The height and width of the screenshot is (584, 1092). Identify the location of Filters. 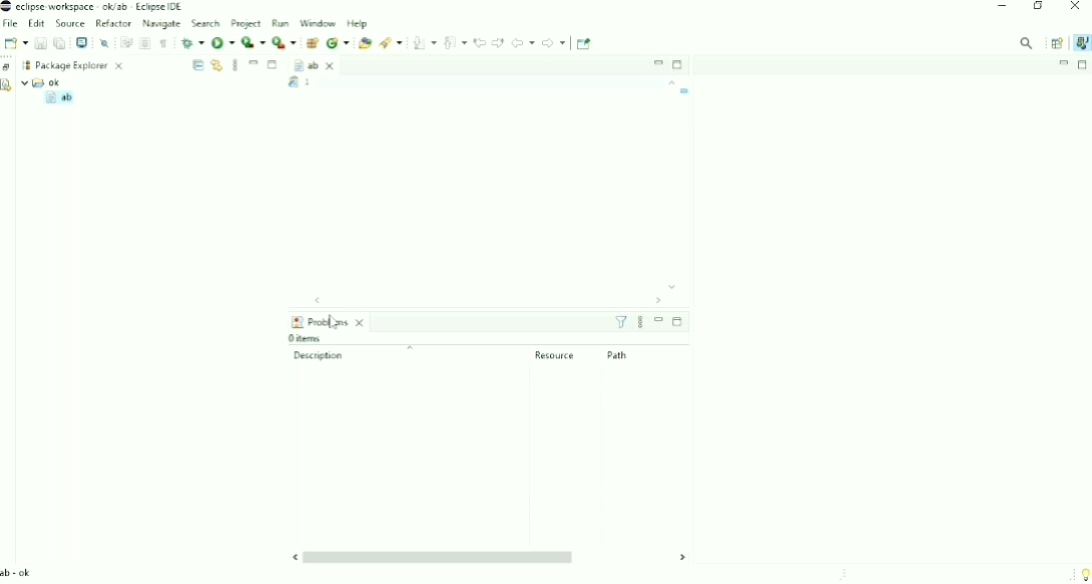
(621, 322).